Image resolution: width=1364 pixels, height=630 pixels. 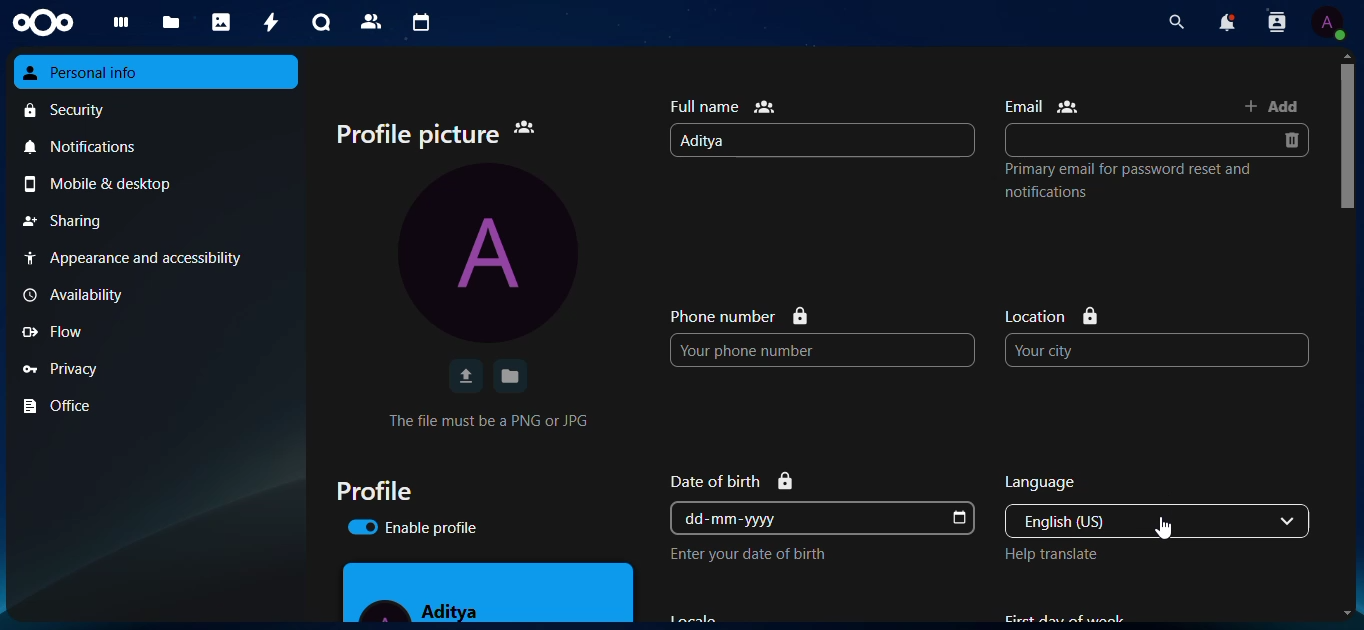 I want to click on sharing, so click(x=67, y=221).